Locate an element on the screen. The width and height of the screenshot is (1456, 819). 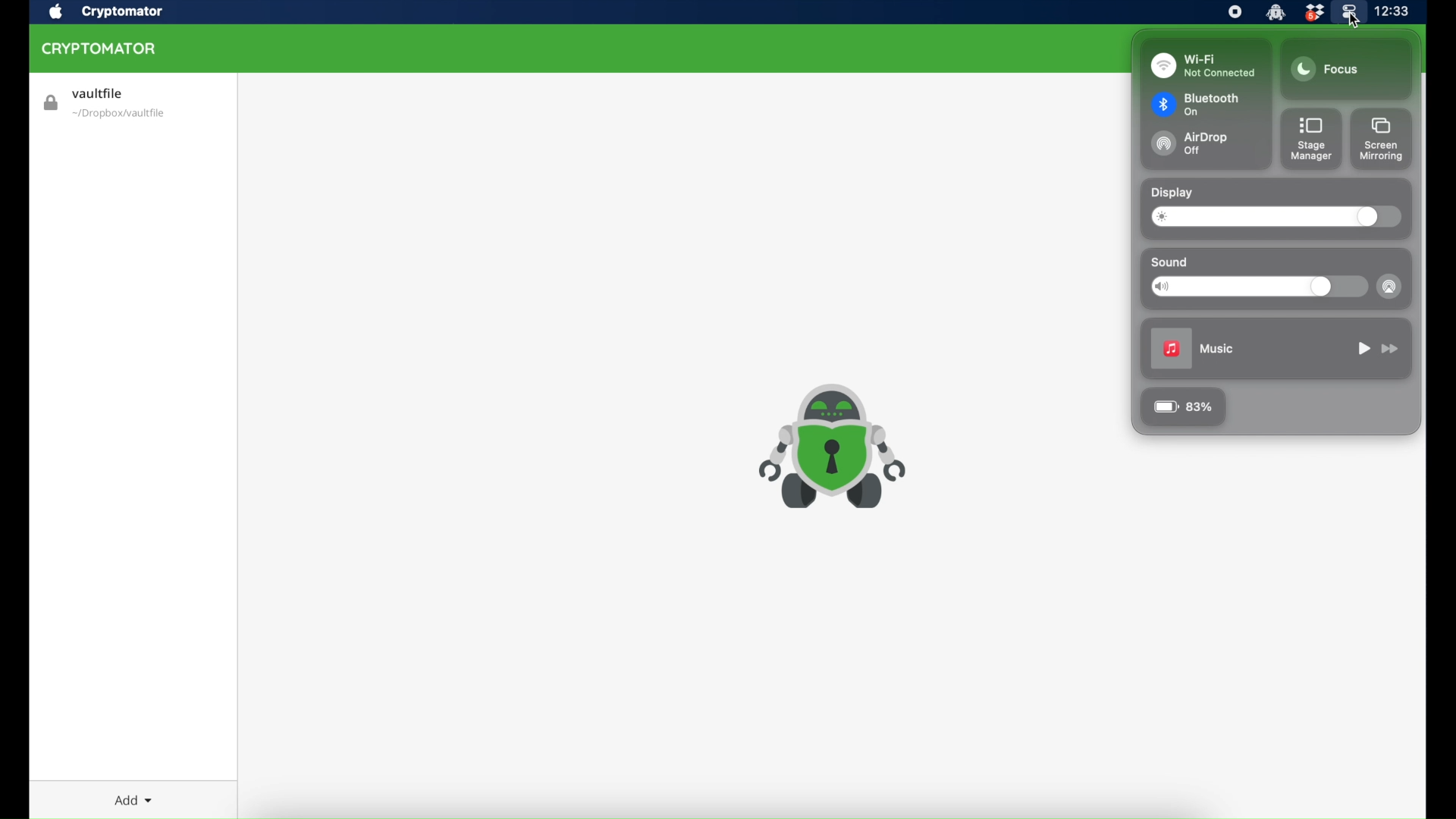
cryptomator is located at coordinates (99, 48).